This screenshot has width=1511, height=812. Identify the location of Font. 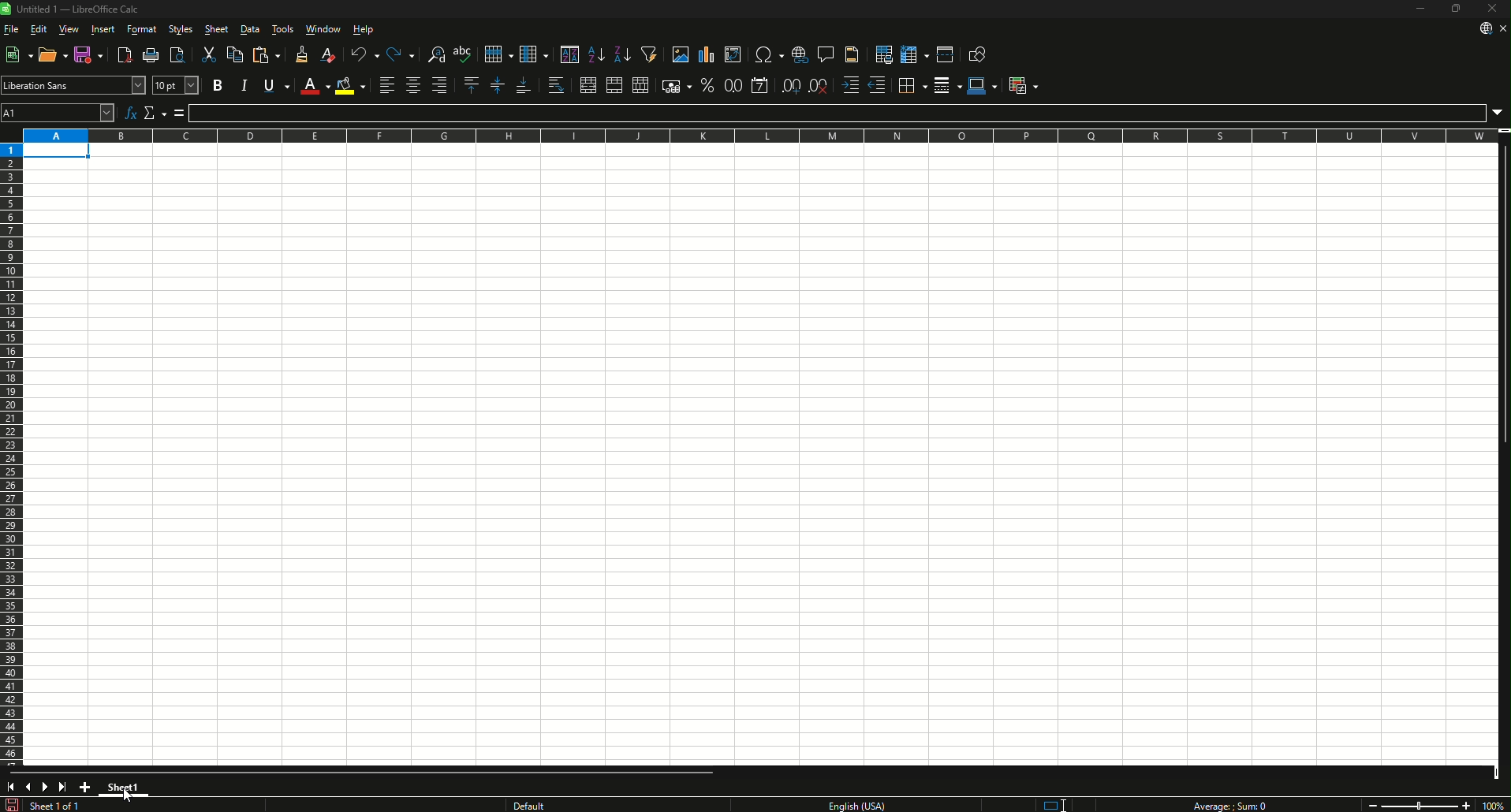
(63, 85).